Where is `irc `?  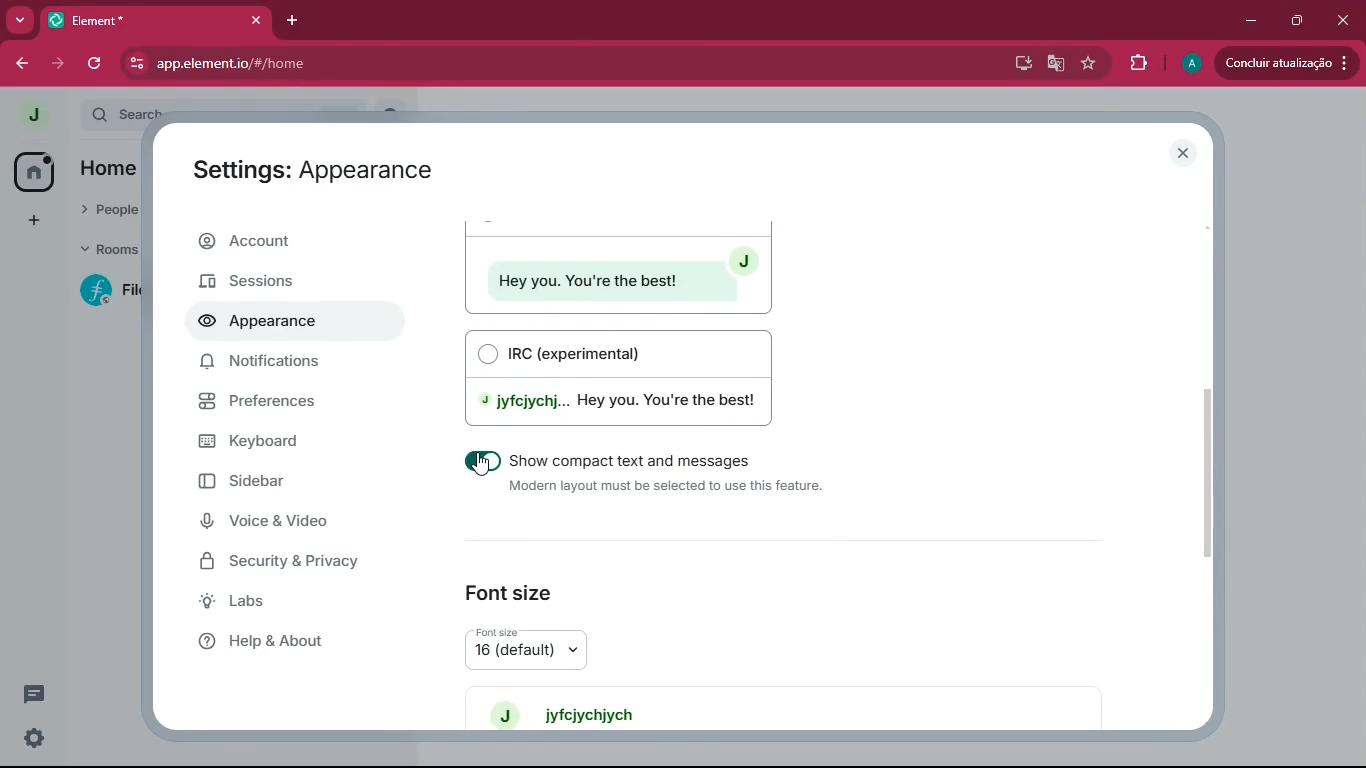
irc  is located at coordinates (628, 377).